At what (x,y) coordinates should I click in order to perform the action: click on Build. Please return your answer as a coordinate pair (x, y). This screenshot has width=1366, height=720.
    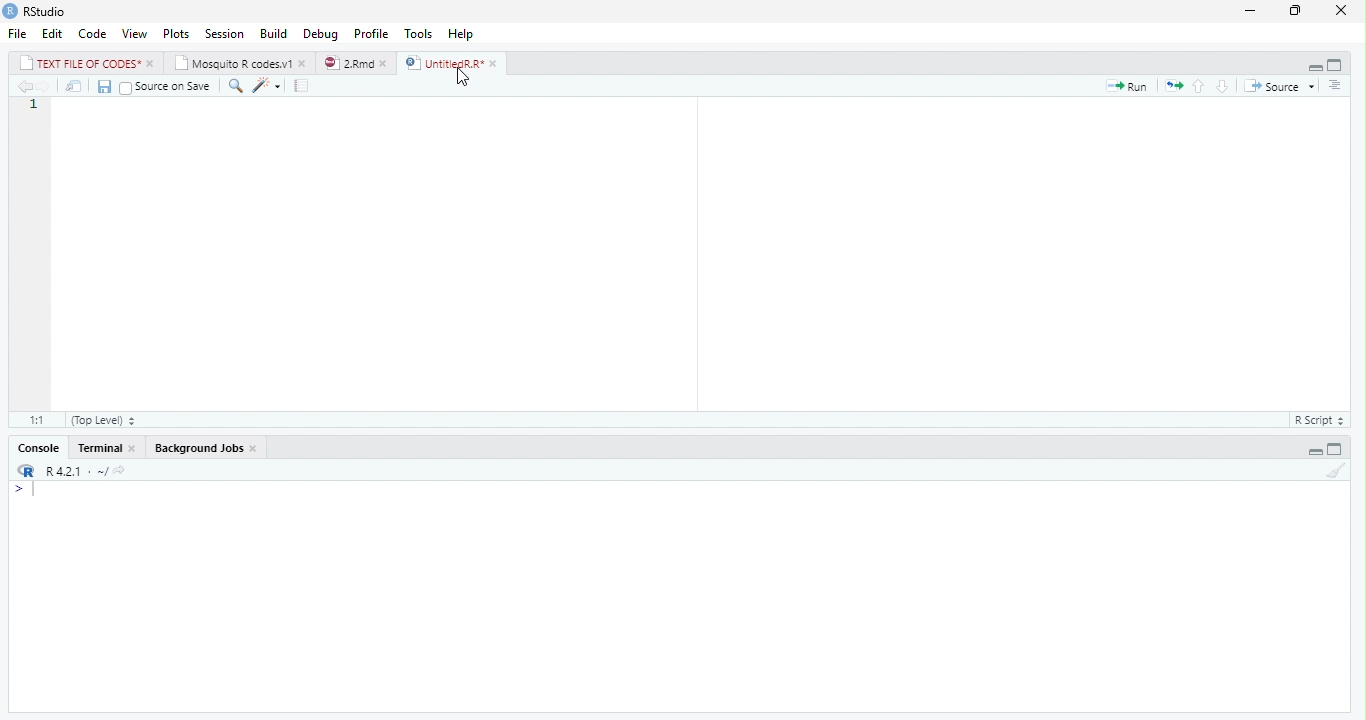
    Looking at the image, I should click on (275, 32).